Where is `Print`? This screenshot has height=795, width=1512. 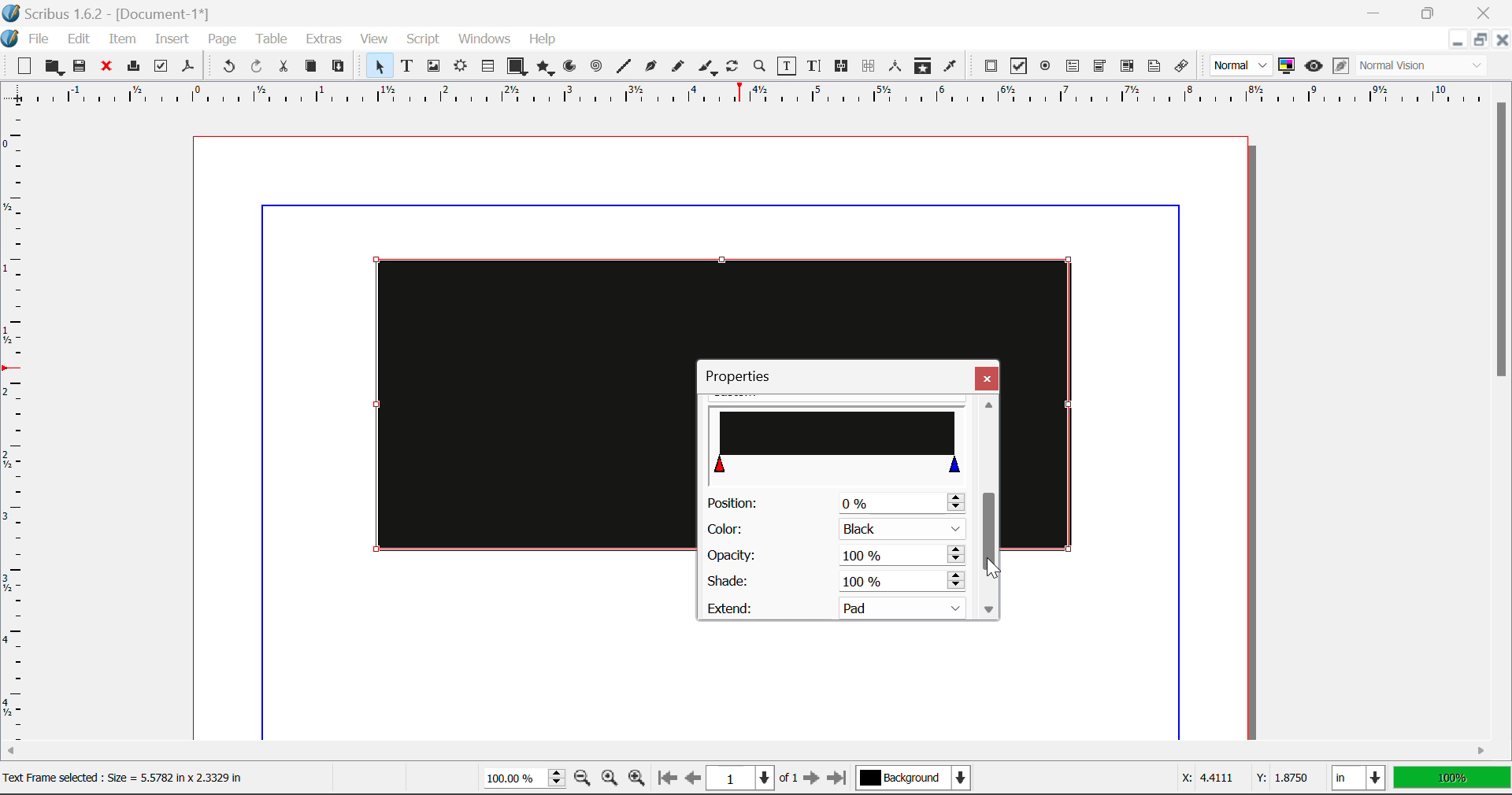 Print is located at coordinates (132, 66).